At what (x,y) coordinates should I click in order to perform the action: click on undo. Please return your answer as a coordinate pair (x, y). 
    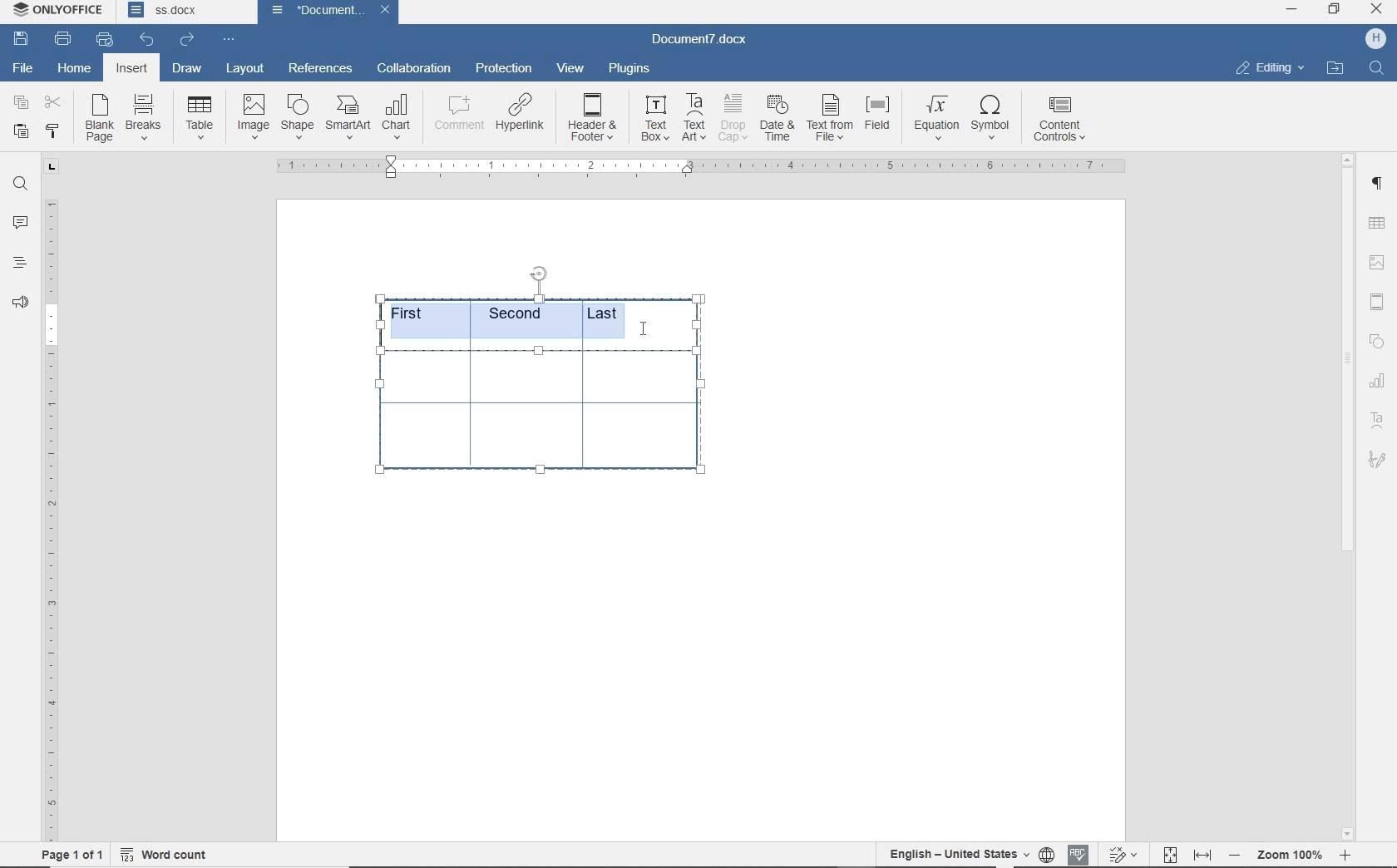
    Looking at the image, I should click on (146, 38).